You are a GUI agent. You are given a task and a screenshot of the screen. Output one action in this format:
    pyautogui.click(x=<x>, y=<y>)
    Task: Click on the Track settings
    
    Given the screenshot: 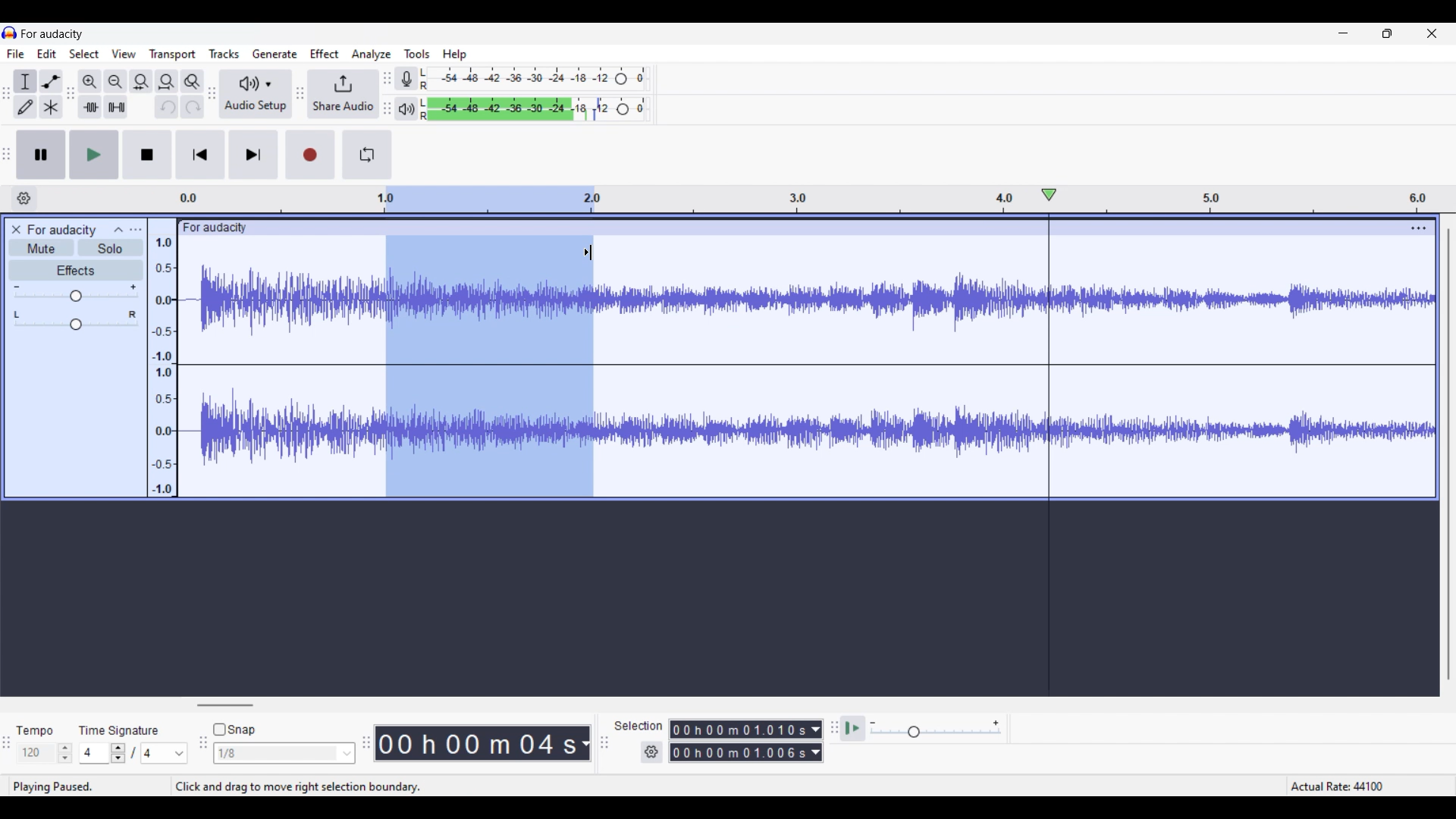 What is the action you would take?
    pyautogui.click(x=1419, y=228)
    